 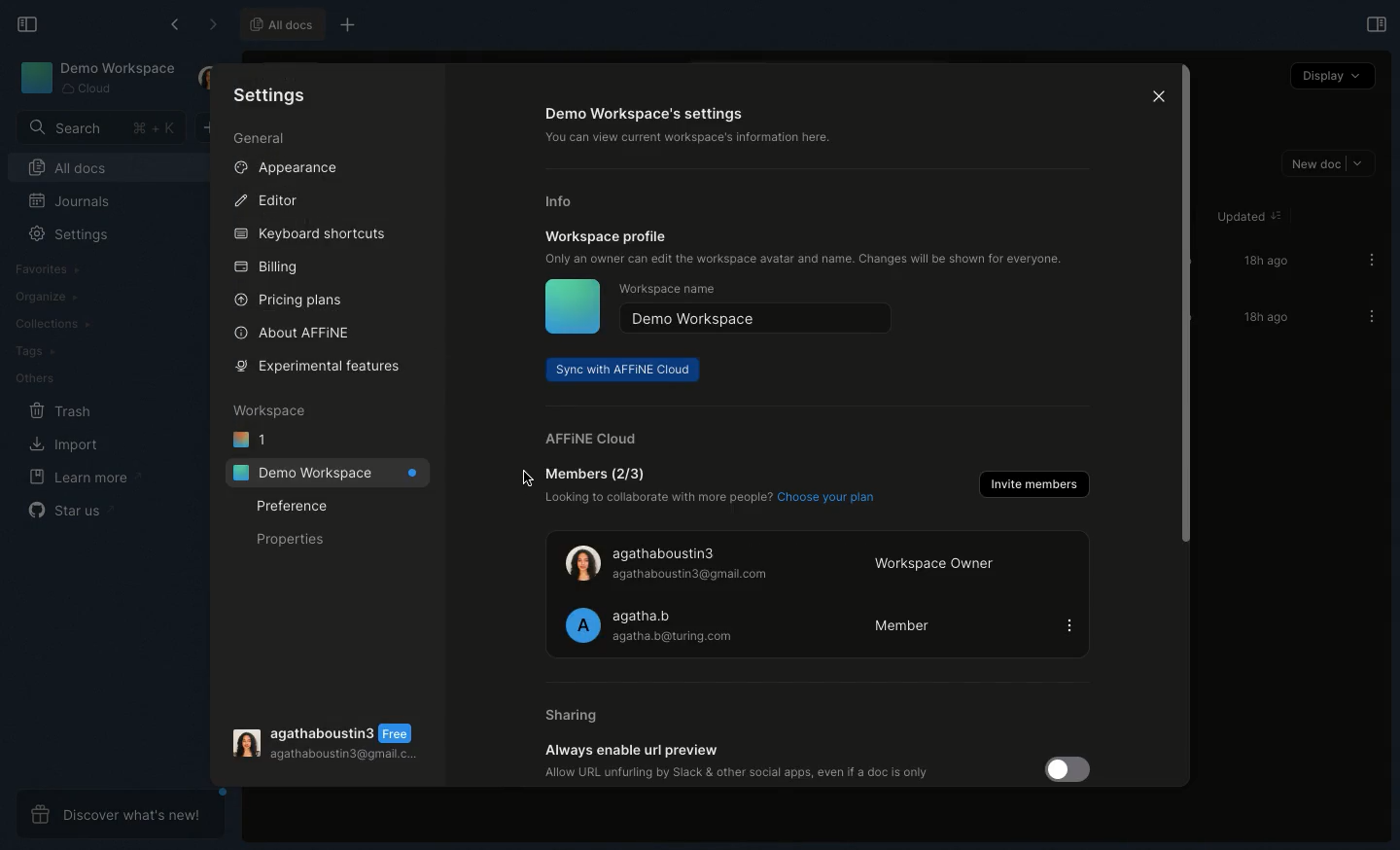 I want to click on Sync with AFFINE cloud, so click(x=626, y=370).